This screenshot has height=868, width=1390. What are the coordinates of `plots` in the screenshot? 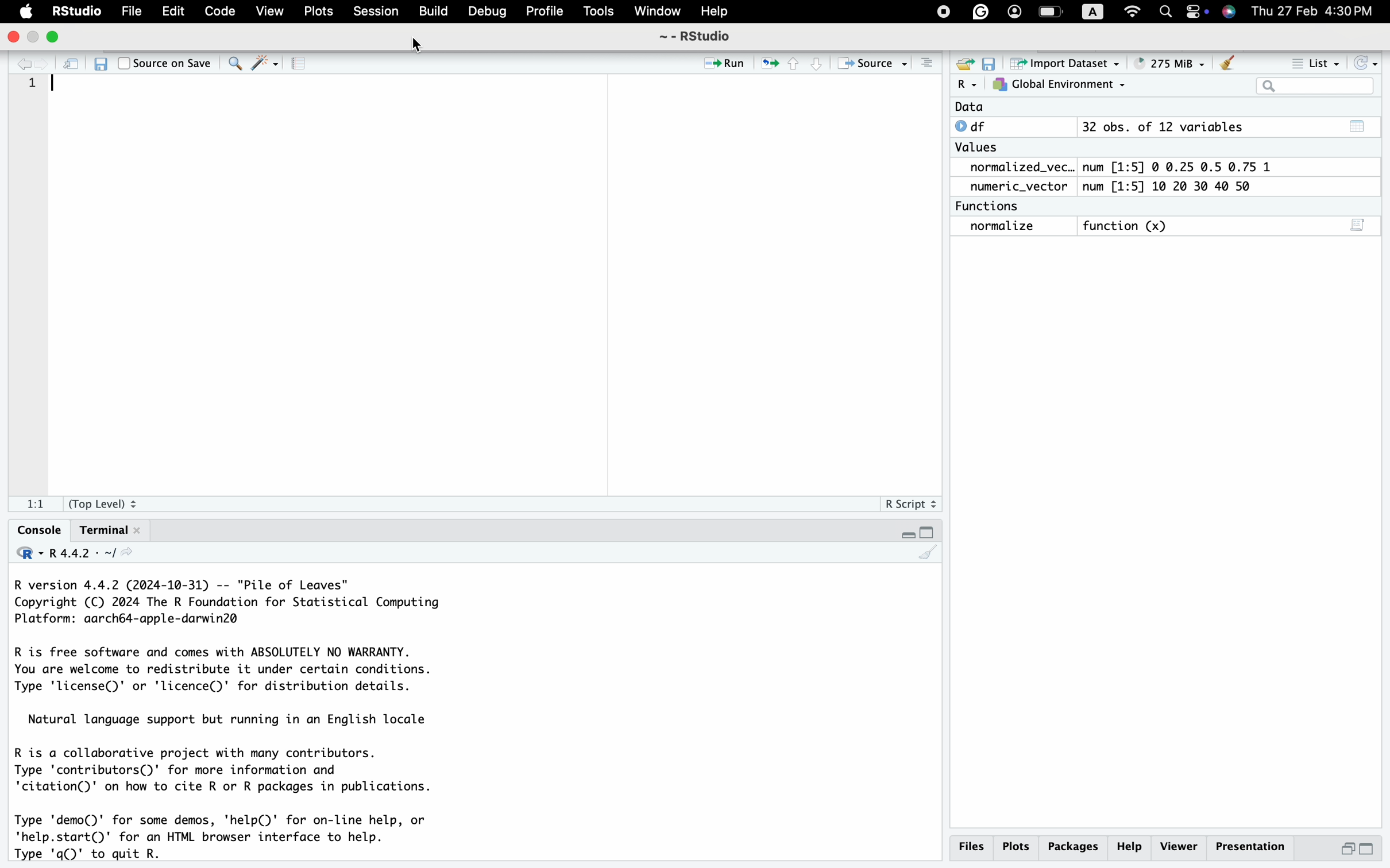 It's located at (318, 11).